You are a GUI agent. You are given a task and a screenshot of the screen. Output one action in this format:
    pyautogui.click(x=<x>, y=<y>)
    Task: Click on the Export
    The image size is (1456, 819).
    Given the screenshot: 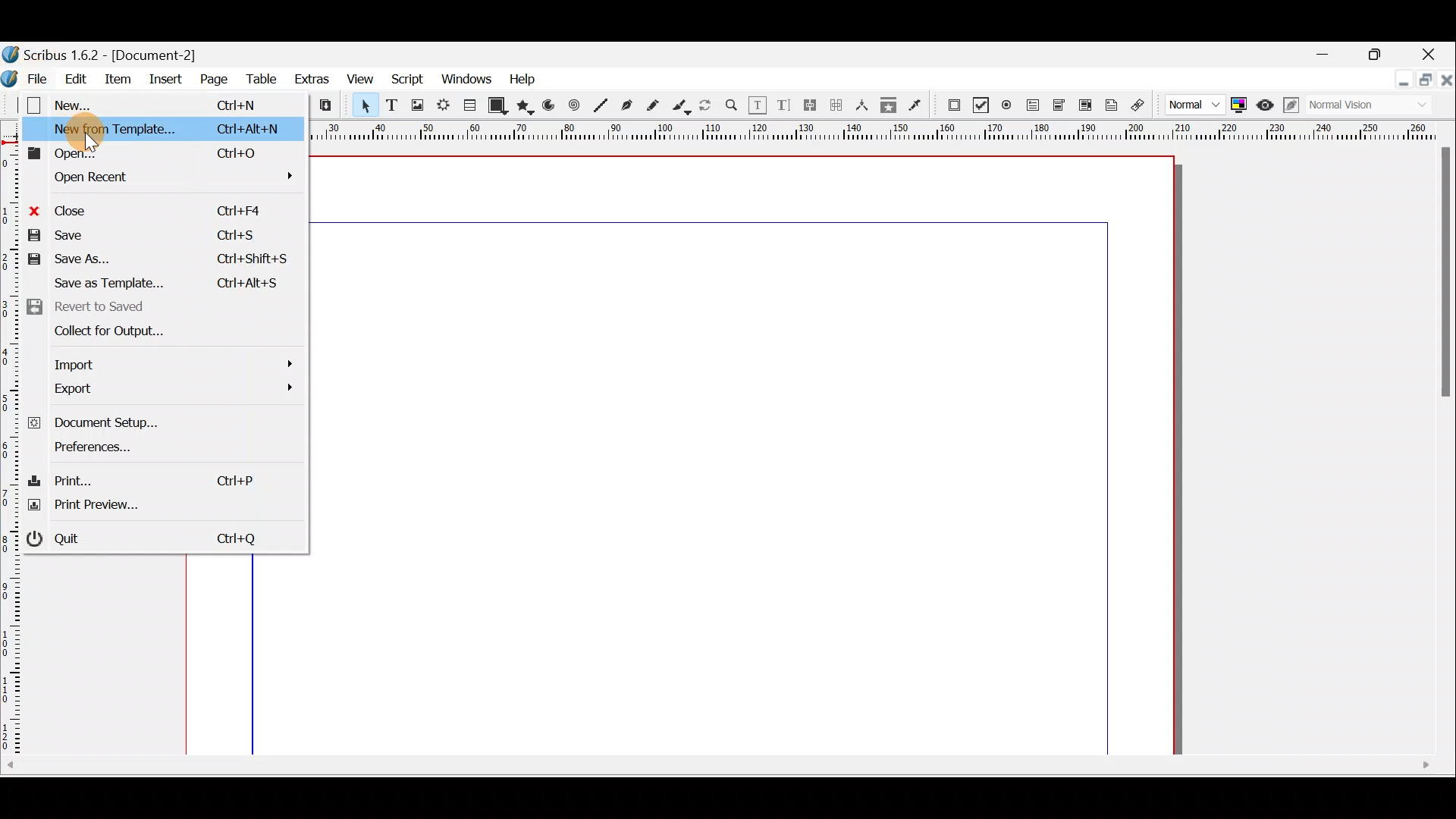 What is the action you would take?
    pyautogui.click(x=165, y=388)
    